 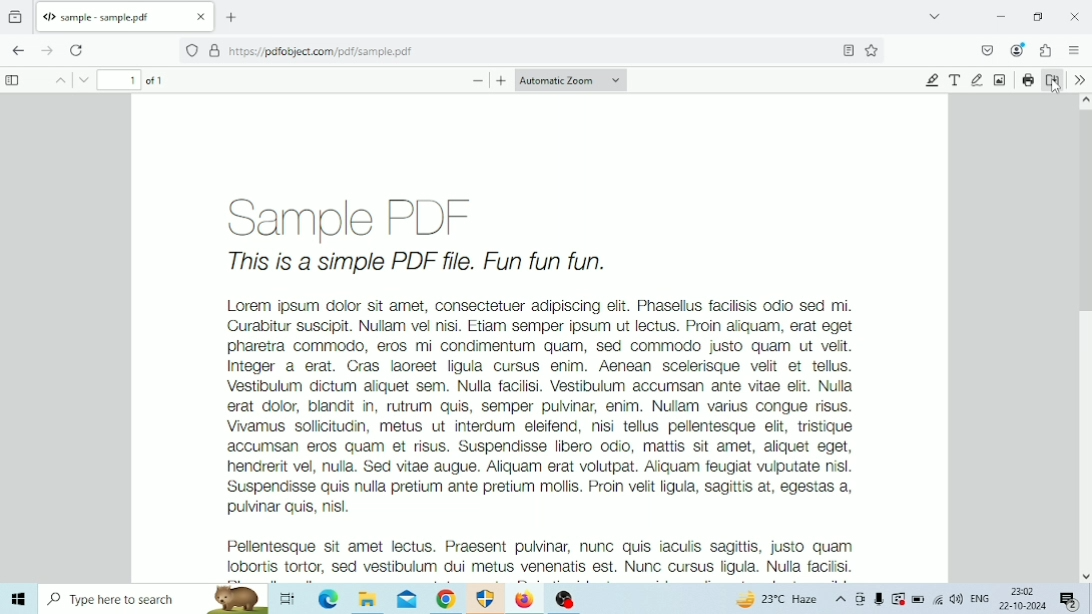 What do you see at coordinates (1056, 87) in the screenshot?
I see `Cursor` at bounding box center [1056, 87].